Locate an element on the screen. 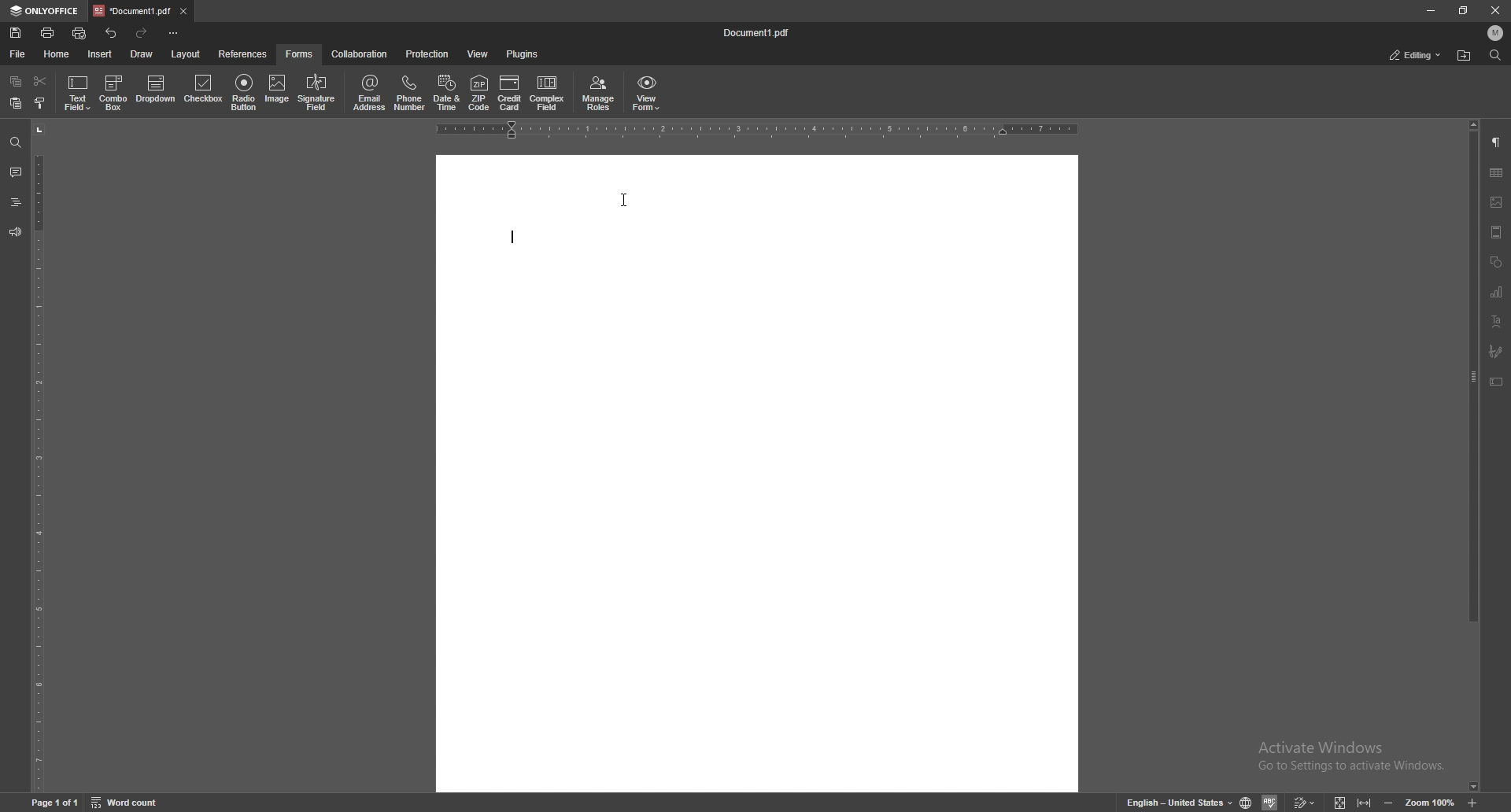 The image size is (1511, 812). resize is located at coordinates (1463, 9).